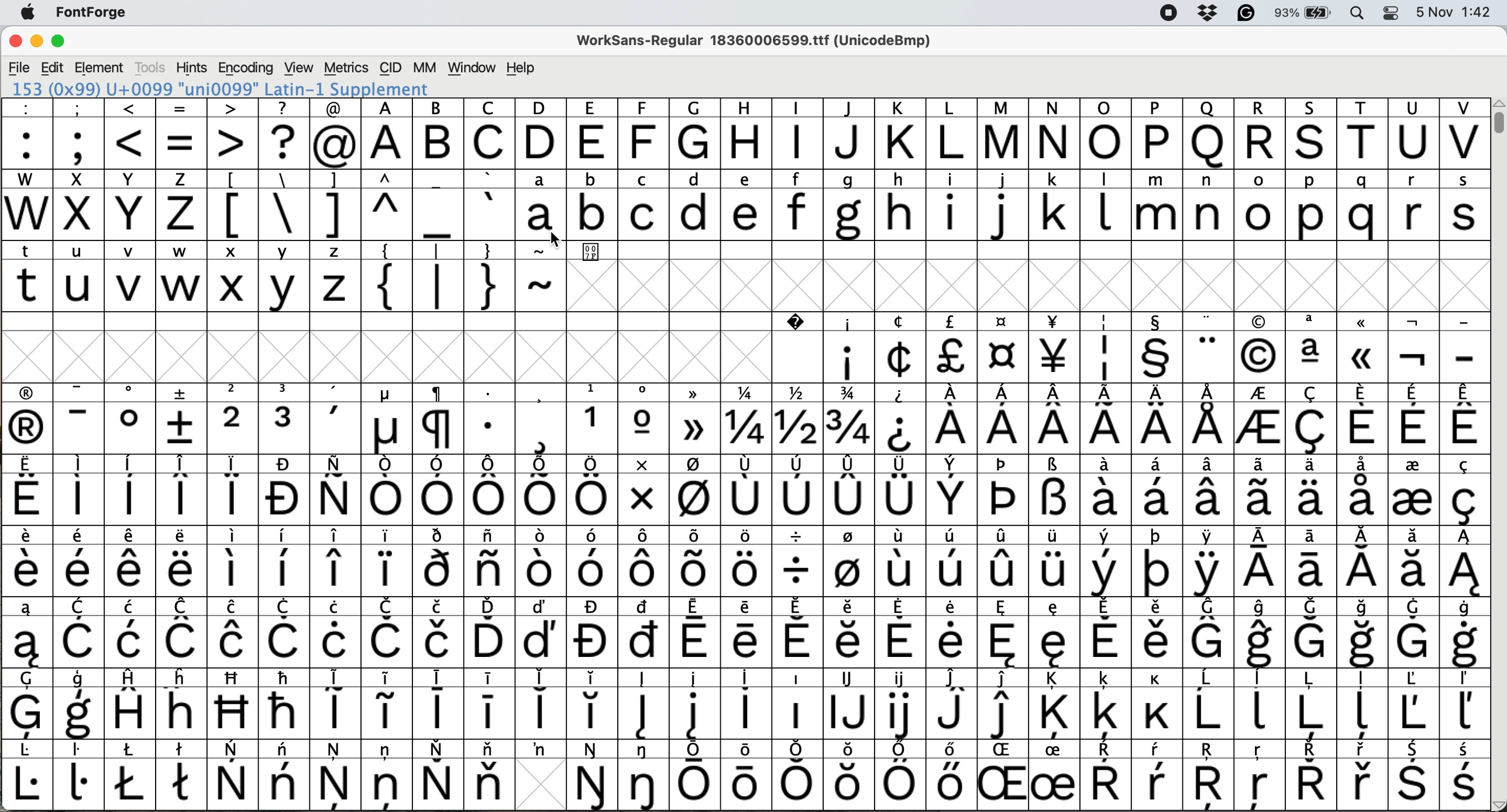 The image size is (1507, 812). Describe the element at coordinates (79, 132) in the screenshot. I see `;` at that location.